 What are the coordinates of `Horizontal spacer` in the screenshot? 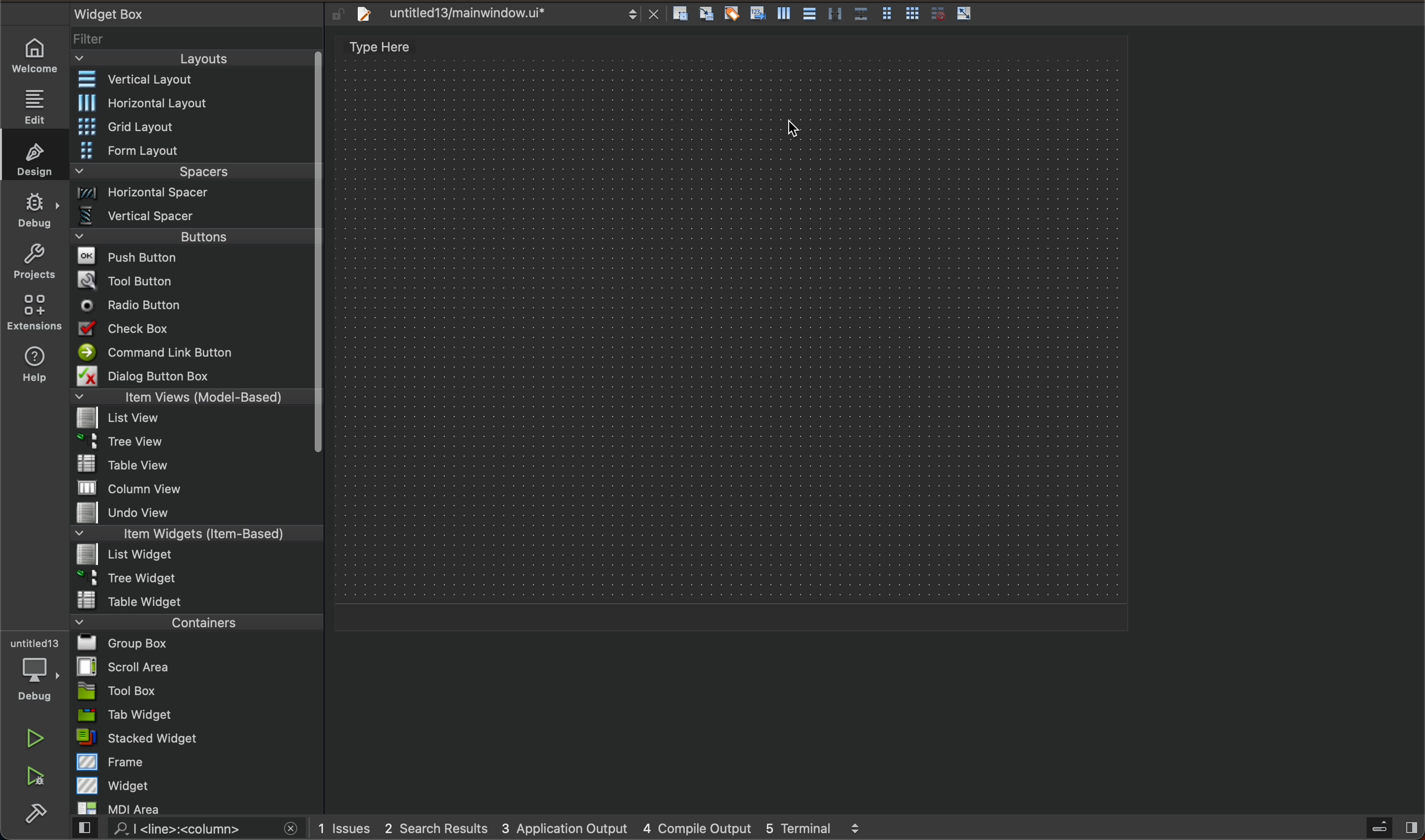 It's located at (192, 194).